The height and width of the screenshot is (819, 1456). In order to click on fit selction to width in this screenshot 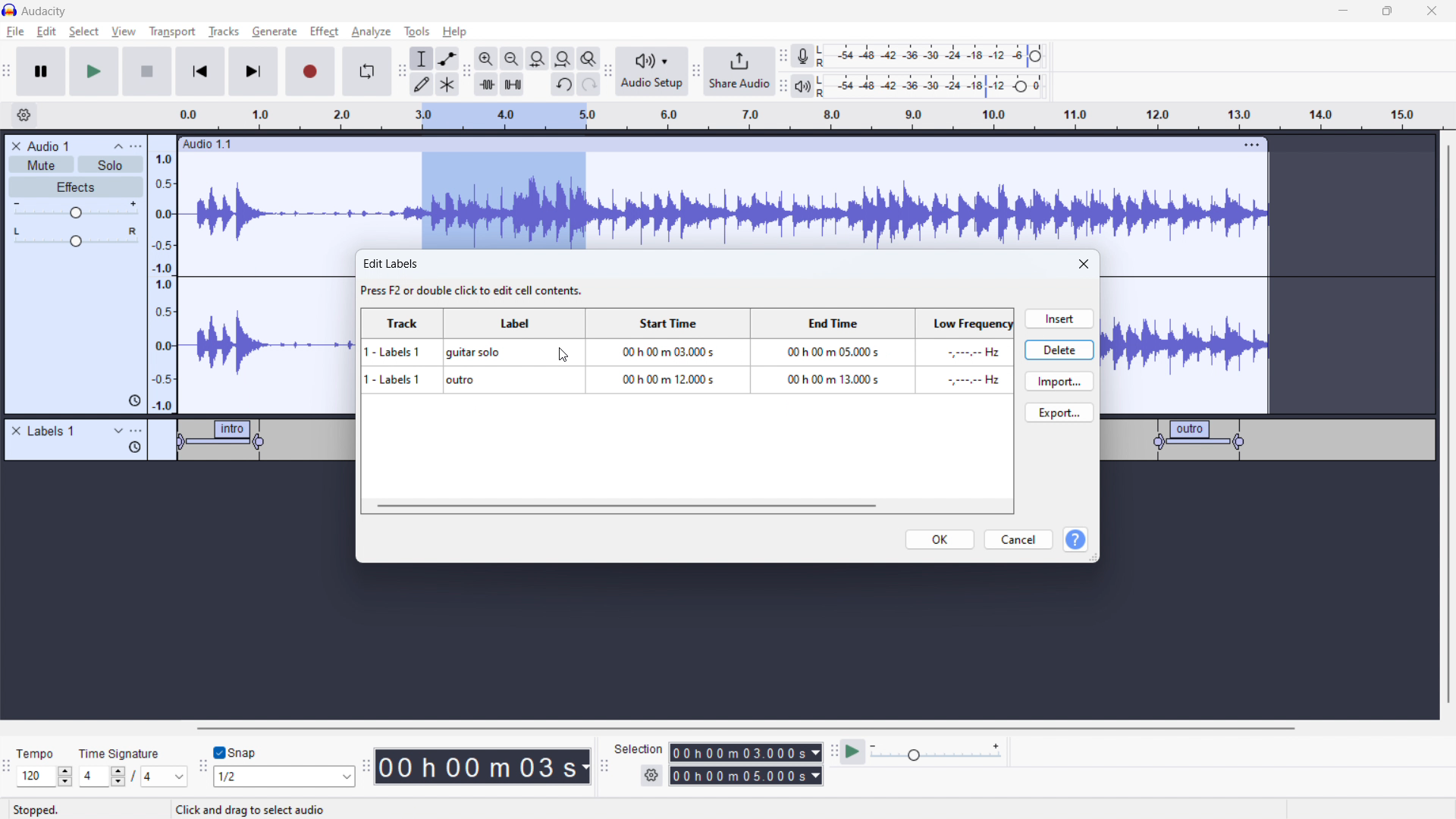, I will do `click(538, 59)`.